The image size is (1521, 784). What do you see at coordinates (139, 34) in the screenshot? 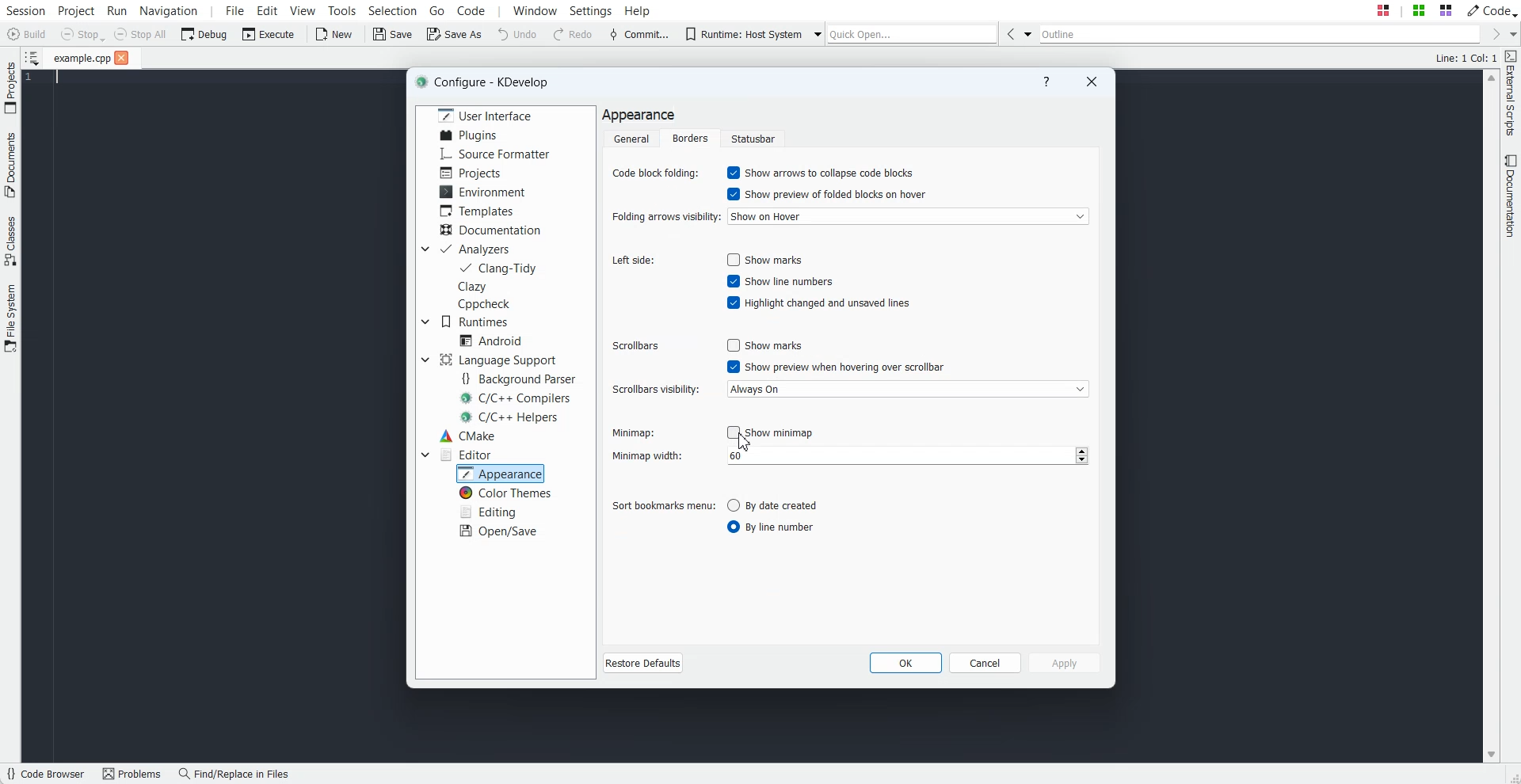
I see `Stop All` at bounding box center [139, 34].